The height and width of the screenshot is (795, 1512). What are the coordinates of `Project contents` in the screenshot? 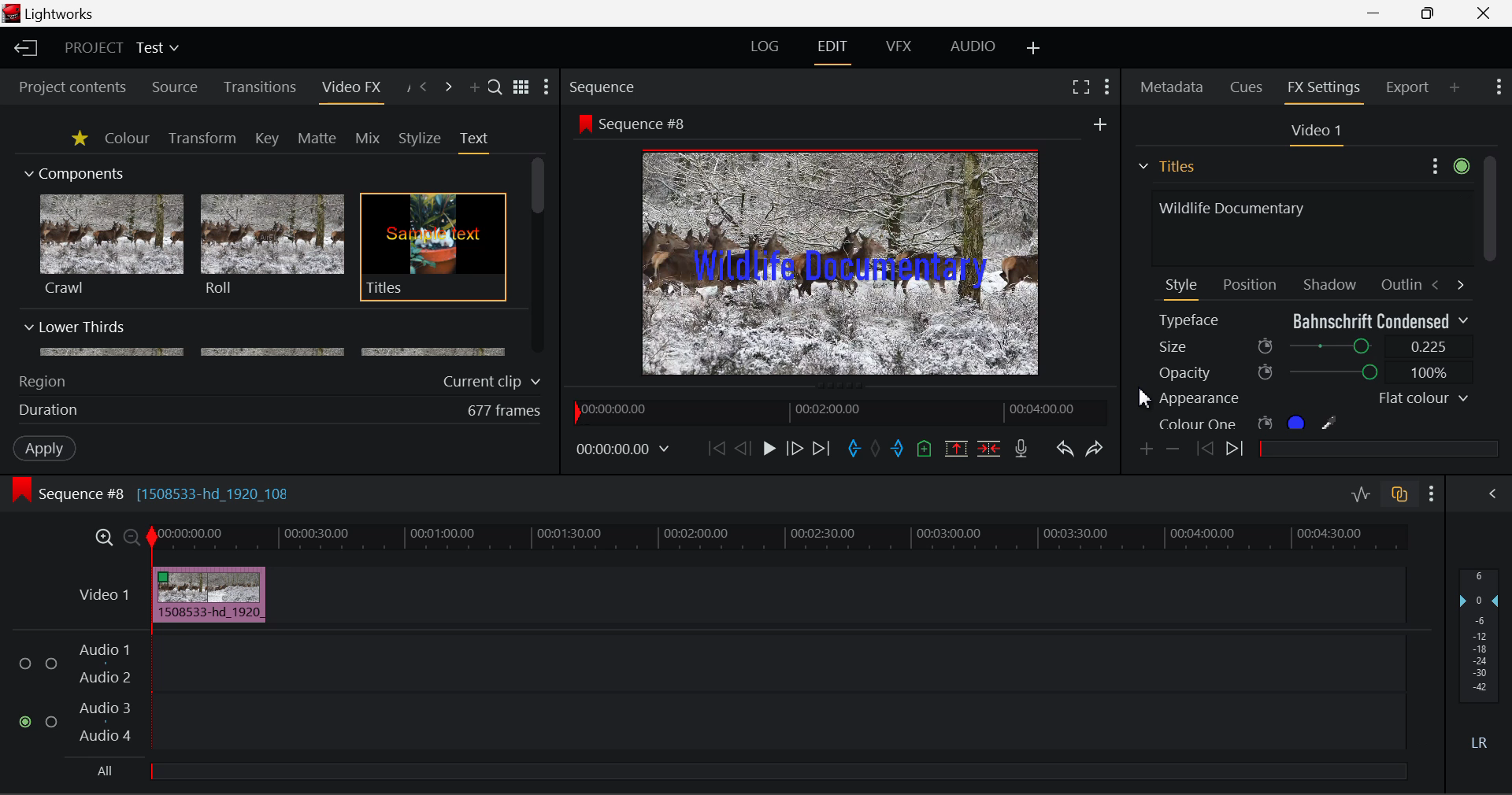 It's located at (65, 87).